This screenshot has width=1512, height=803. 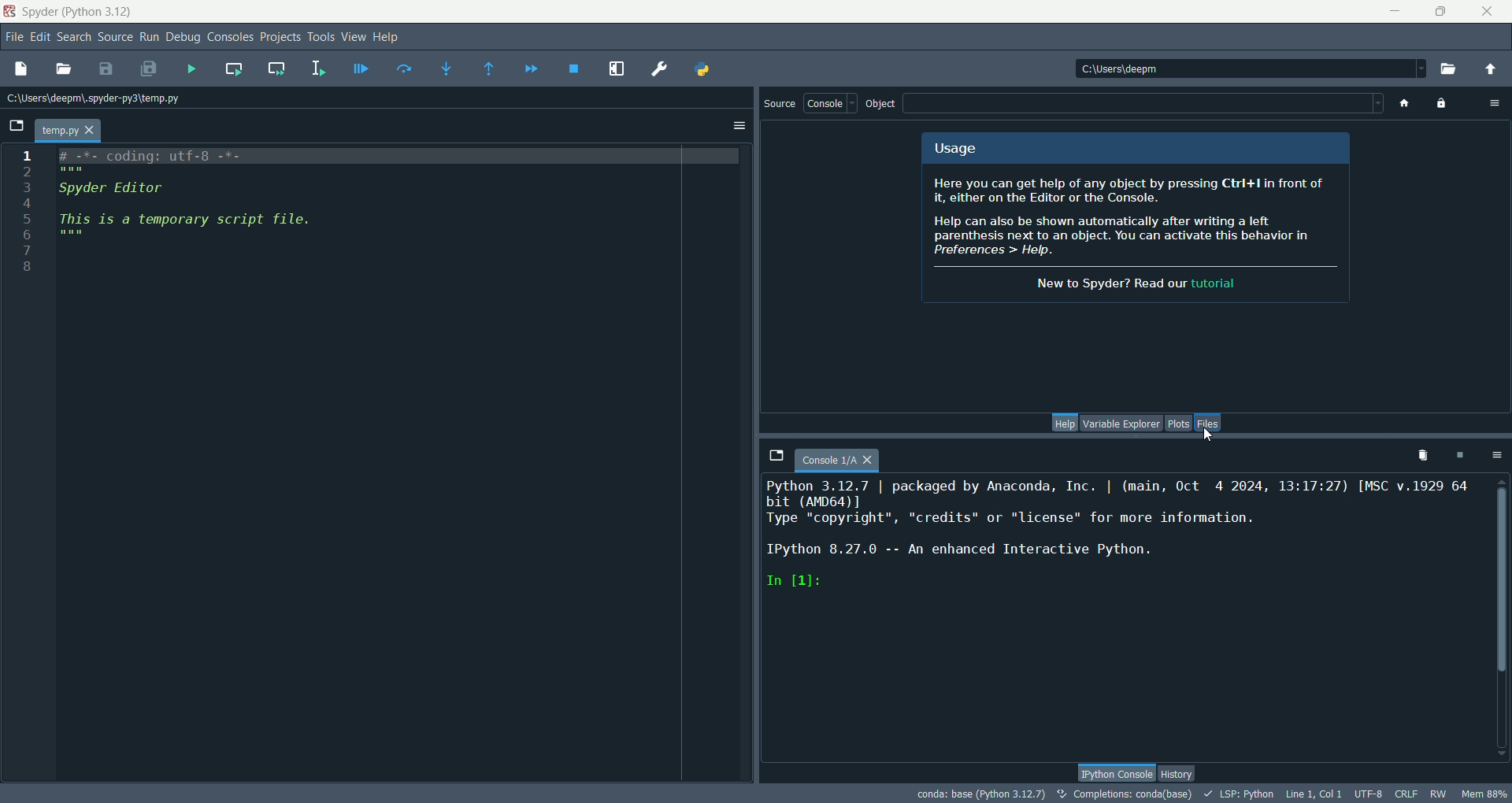 What do you see at coordinates (1369, 794) in the screenshot?
I see `UTF-8` at bounding box center [1369, 794].